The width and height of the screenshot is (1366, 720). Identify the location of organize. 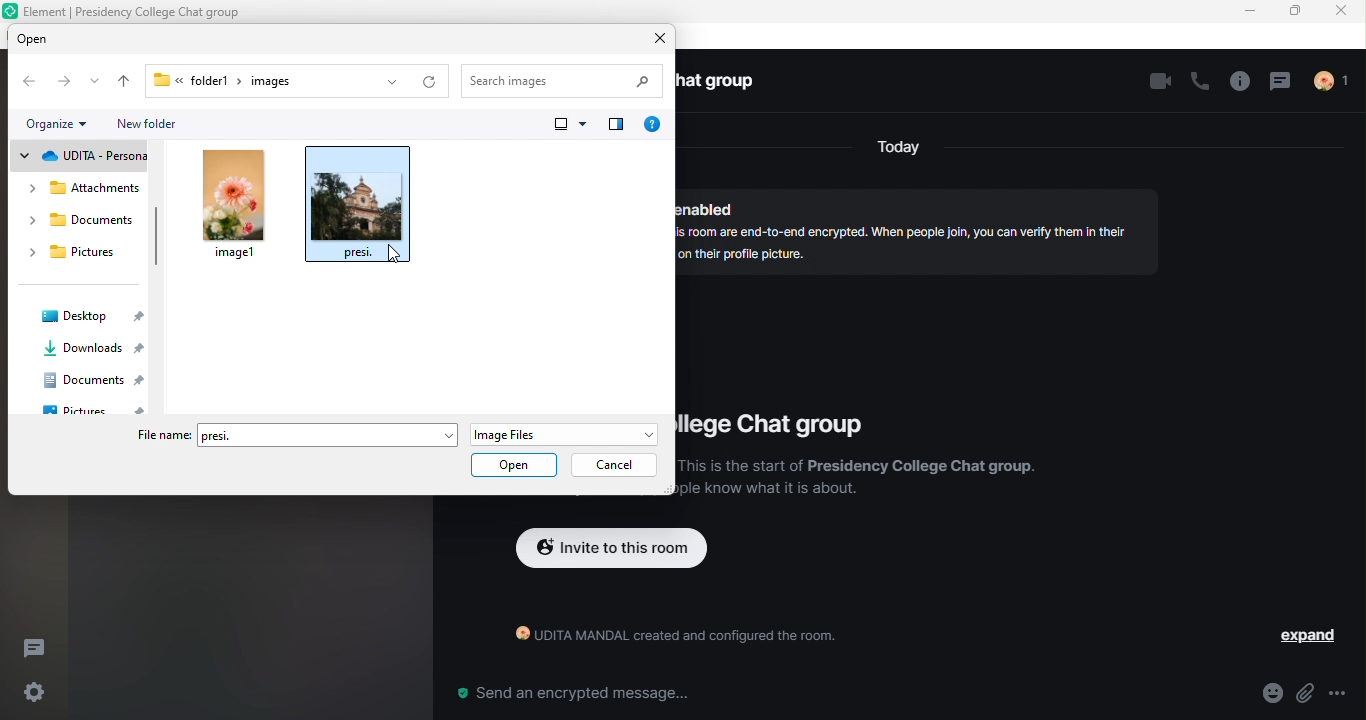
(61, 124).